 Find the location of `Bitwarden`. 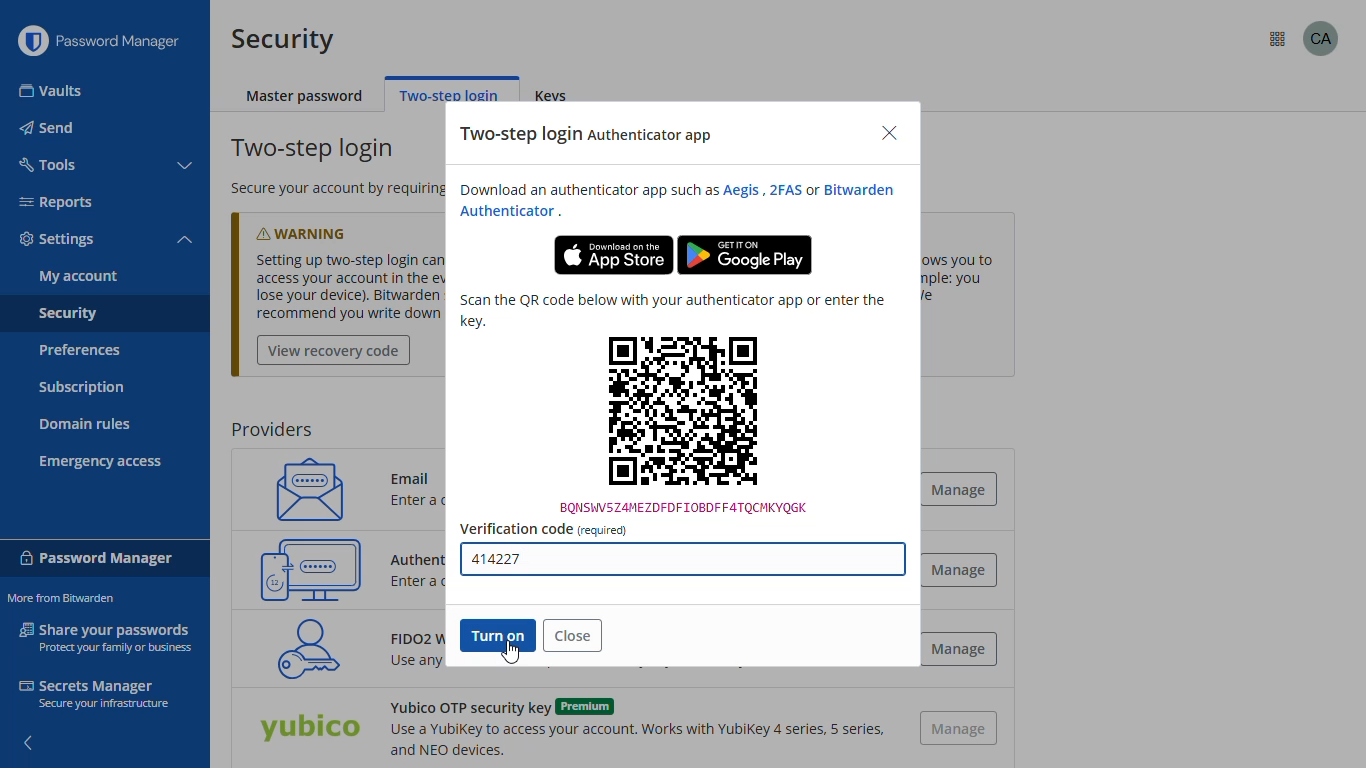

Bitwarden is located at coordinates (863, 189).